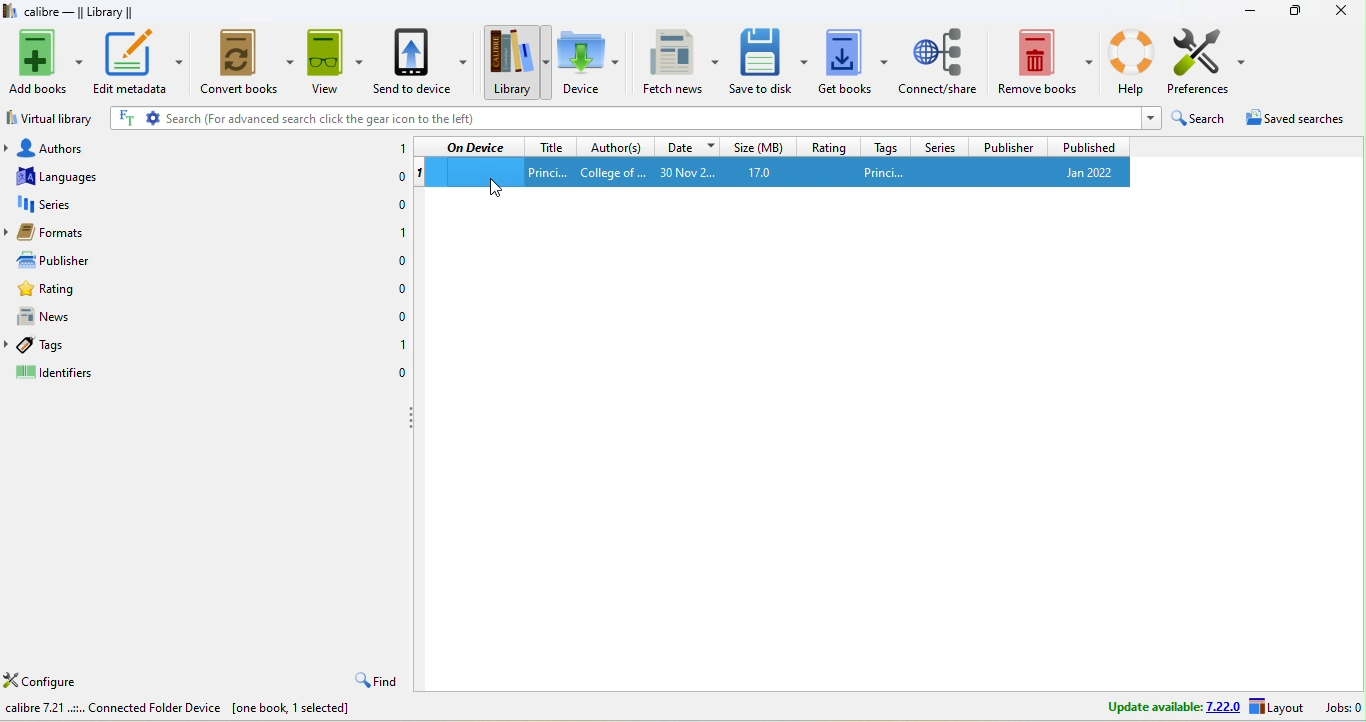 This screenshot has height=722, width=1366. I want to click on 0, so click(399, 317).